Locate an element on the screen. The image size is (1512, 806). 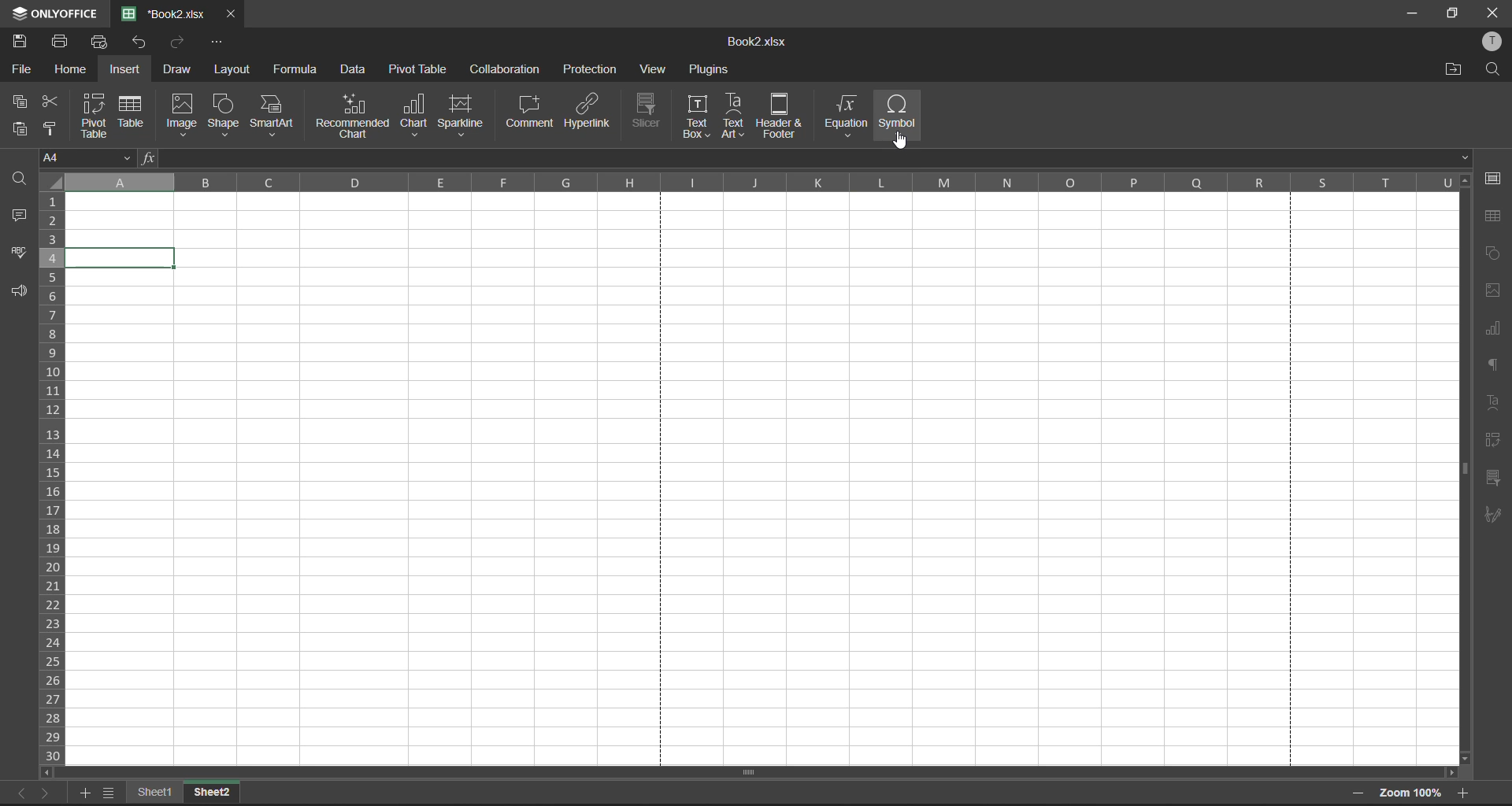
scroll down is located at coordinates (1462, 758).